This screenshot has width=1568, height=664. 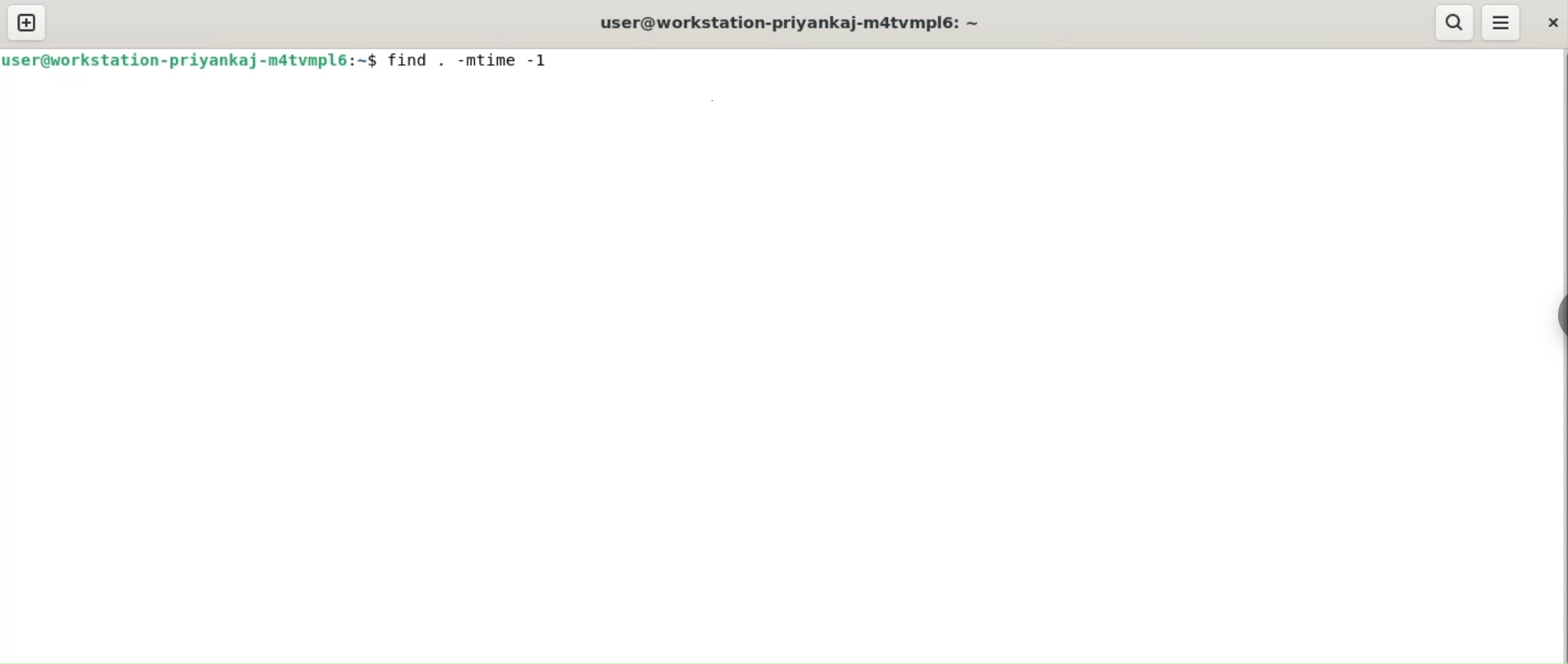 What do you see at coordinates (1561, 315) in the screenshot?
I see `sidebar` at bounding box center [1561, 315].